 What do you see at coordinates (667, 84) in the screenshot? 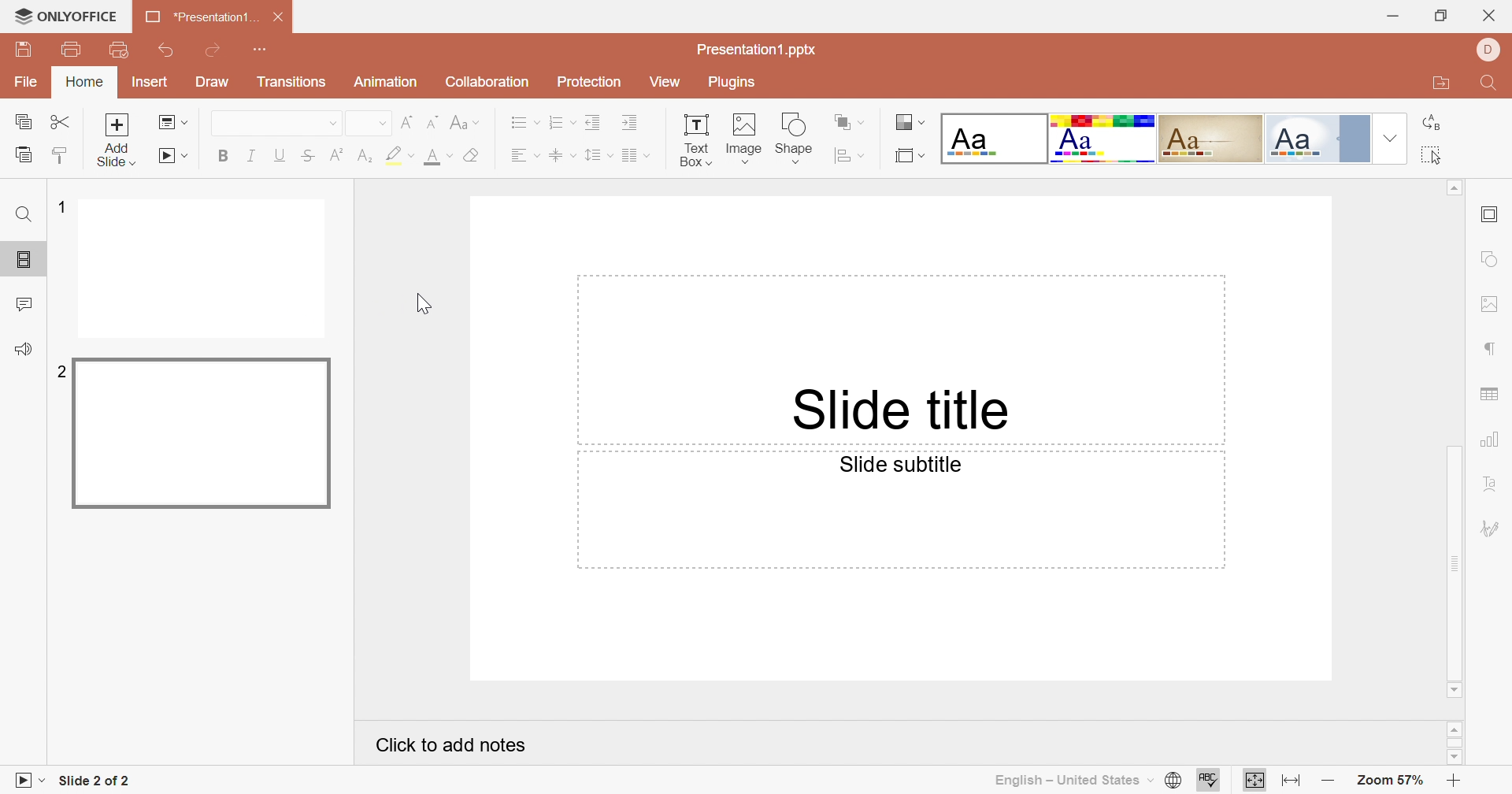
I see `View` at bounding box center [667, 84].